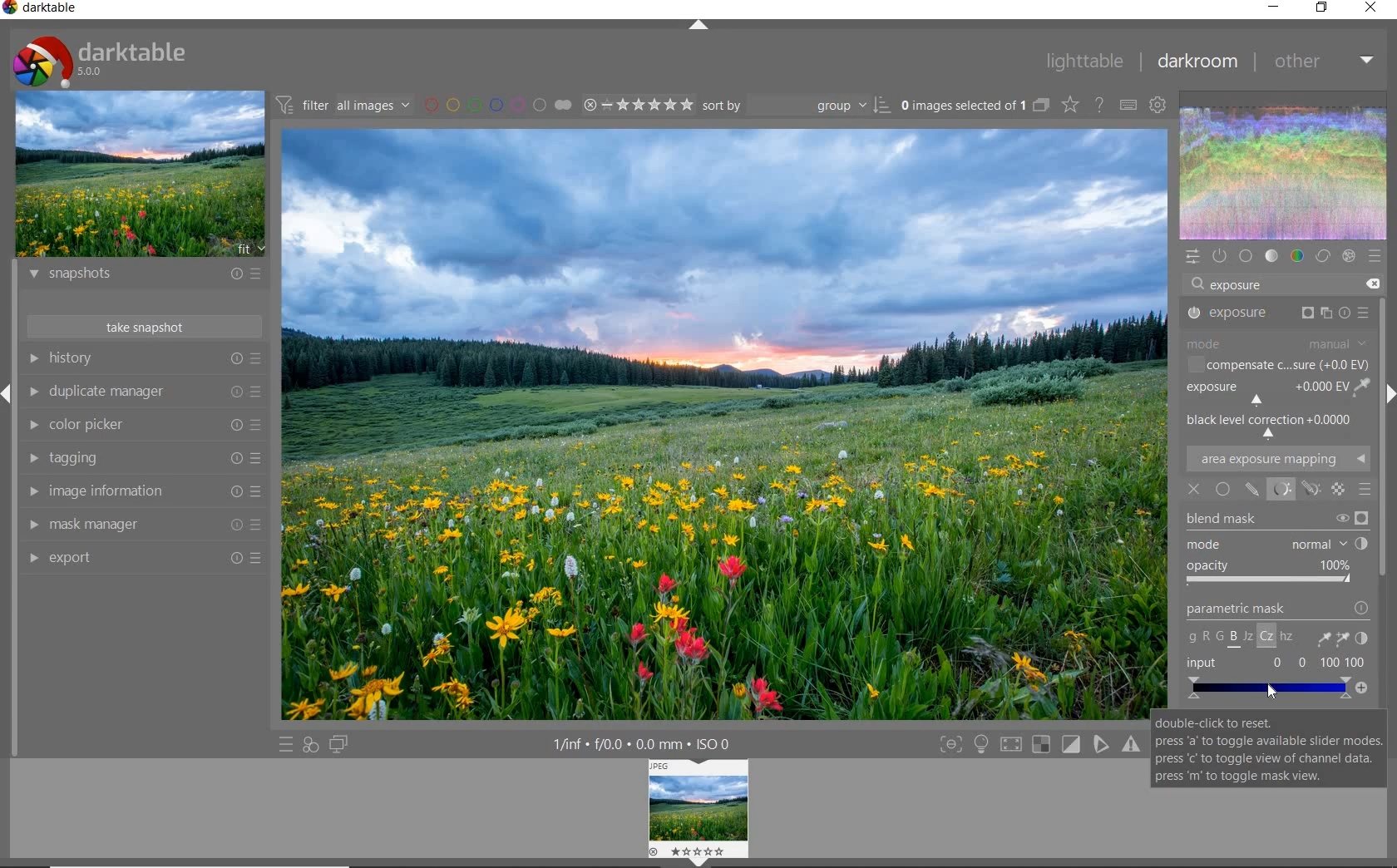 The image size is (1397, 868). Describe the element at coordinates (797, 106) in the screenshot. I see `sort` at that location.